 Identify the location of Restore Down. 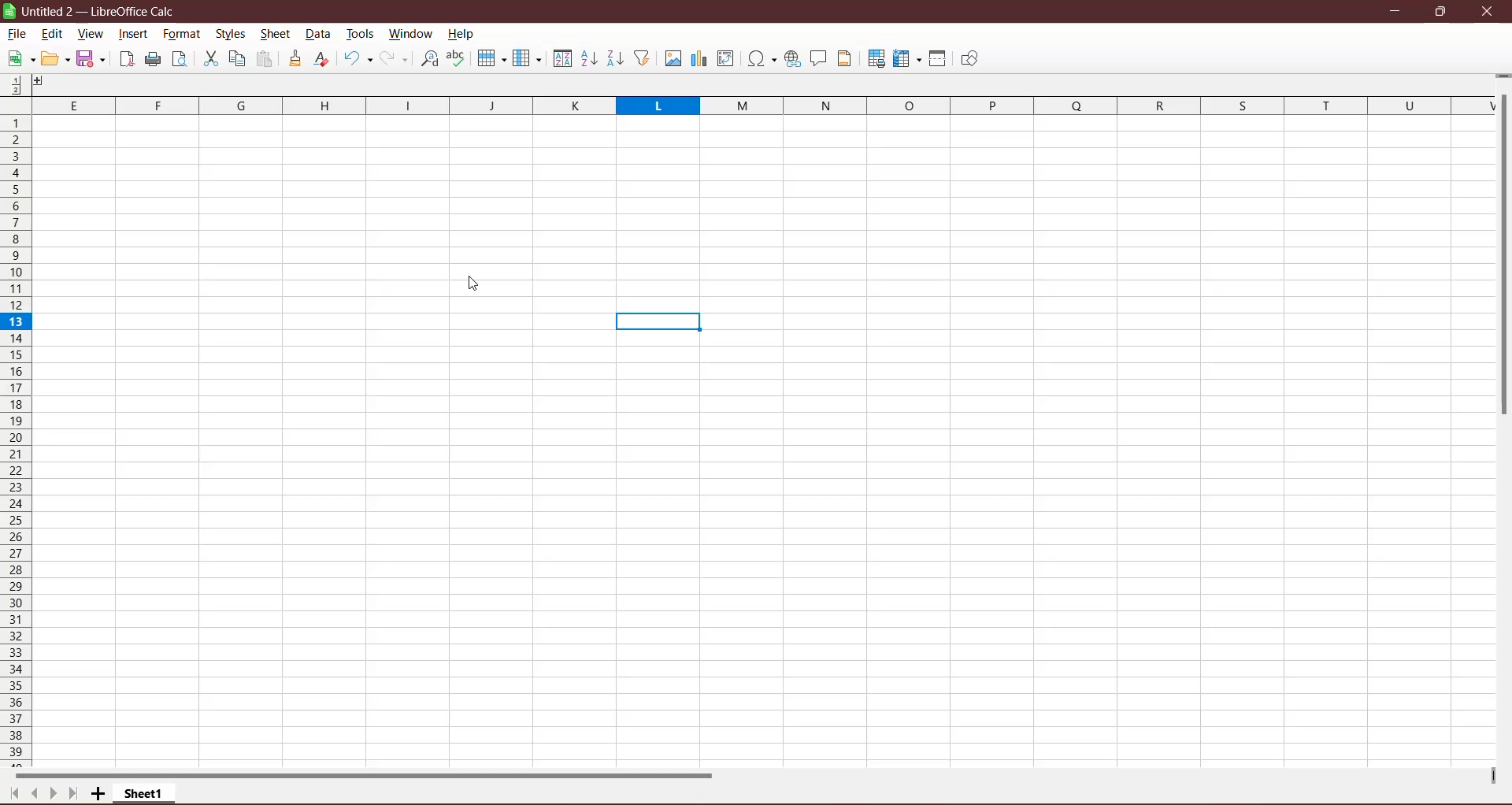
(1440, 11).